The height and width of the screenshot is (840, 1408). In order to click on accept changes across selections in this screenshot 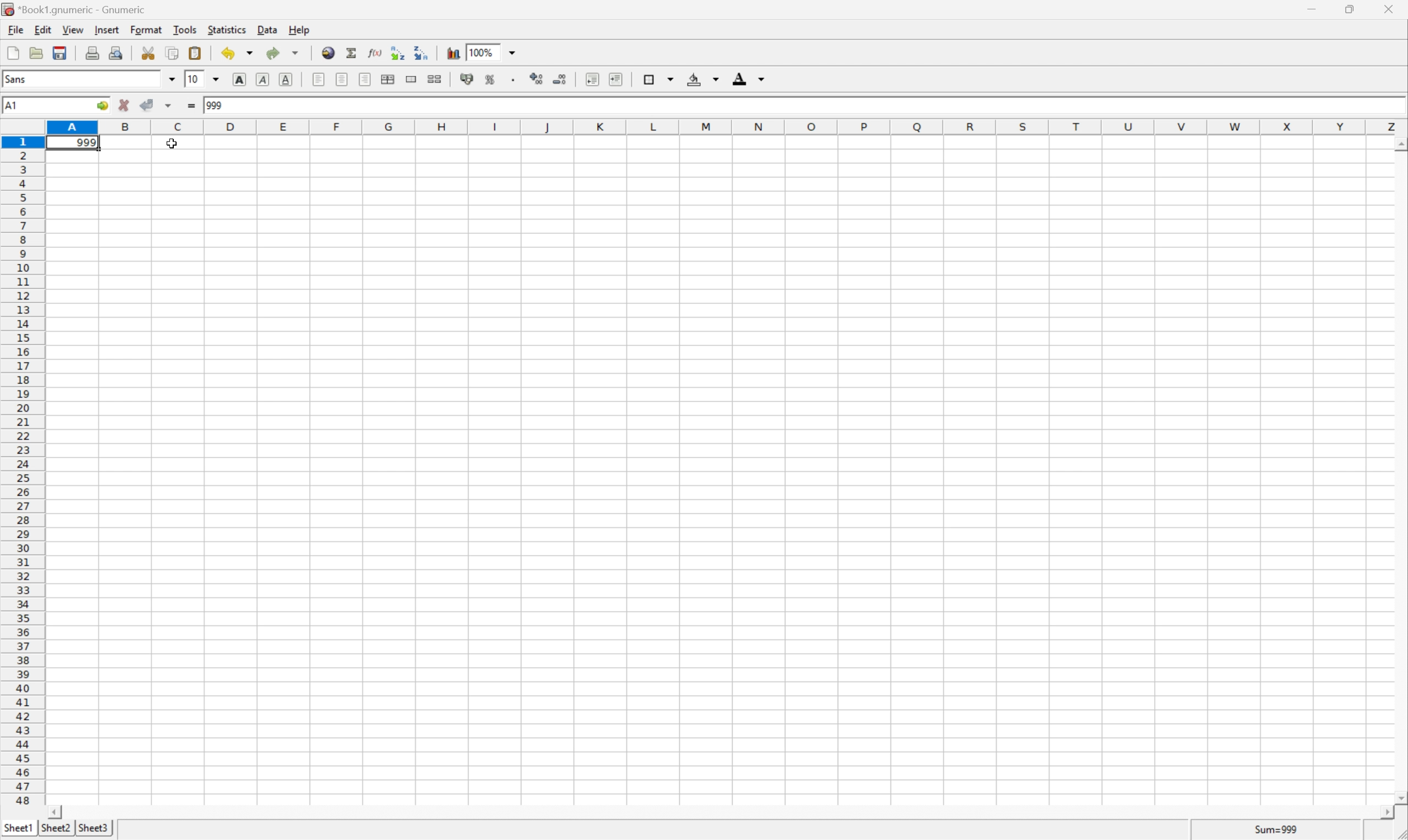, I will do `click(157, 105)`.